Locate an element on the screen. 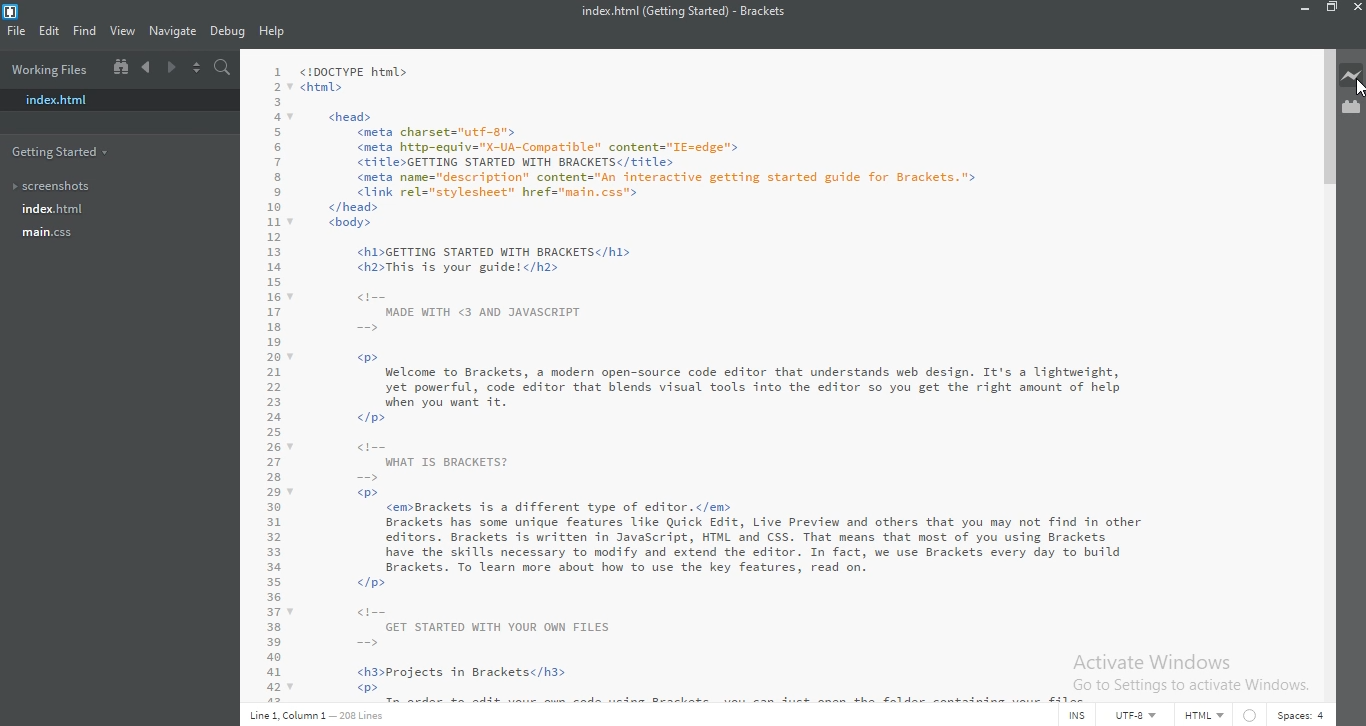 The width and height of the screenshot is (1366, 726). Split the editor vertically or horizontally is located at coordinates (194, 66).